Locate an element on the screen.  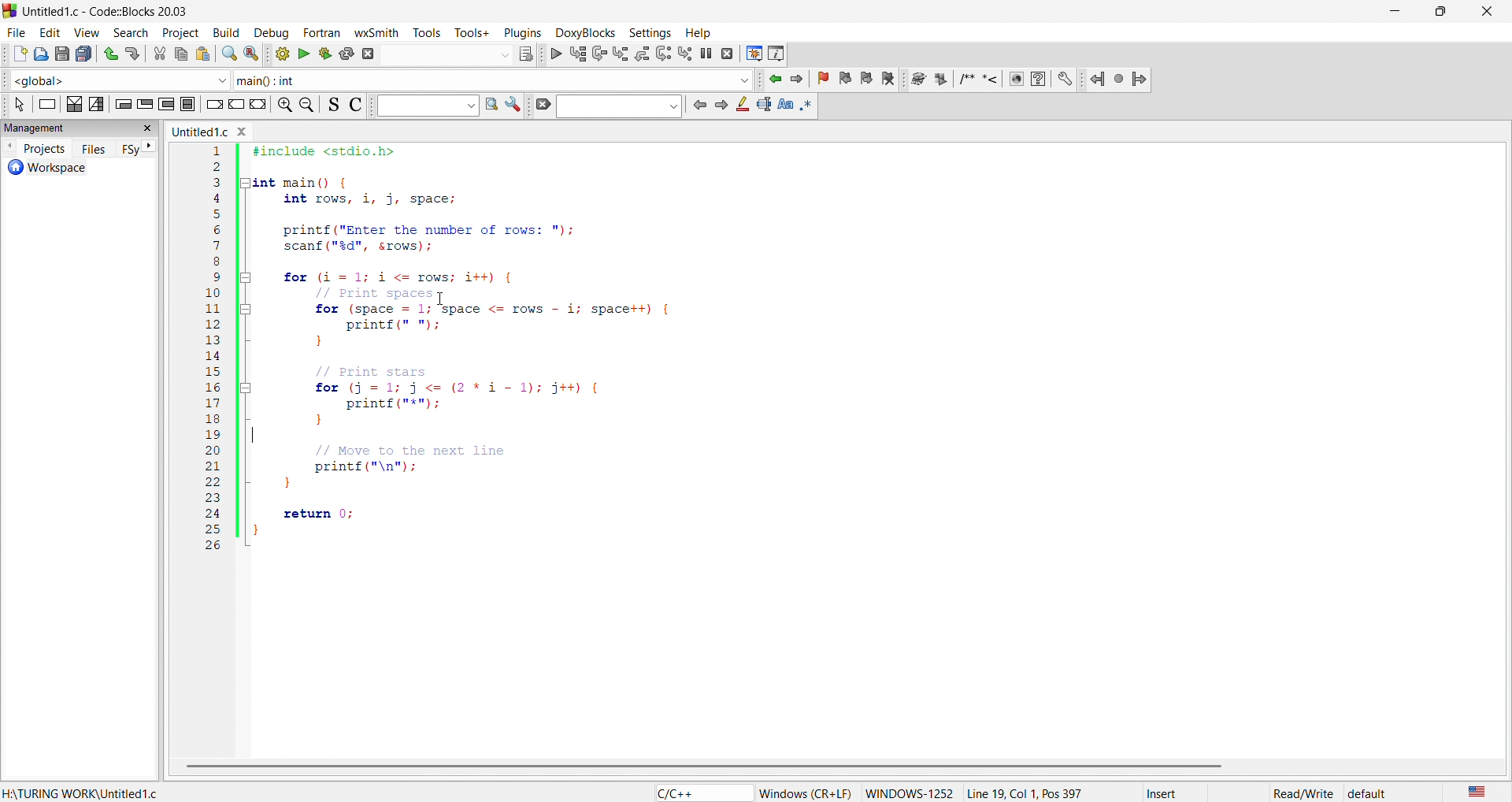
toggle bookmark is located at coordinates (826, 79).